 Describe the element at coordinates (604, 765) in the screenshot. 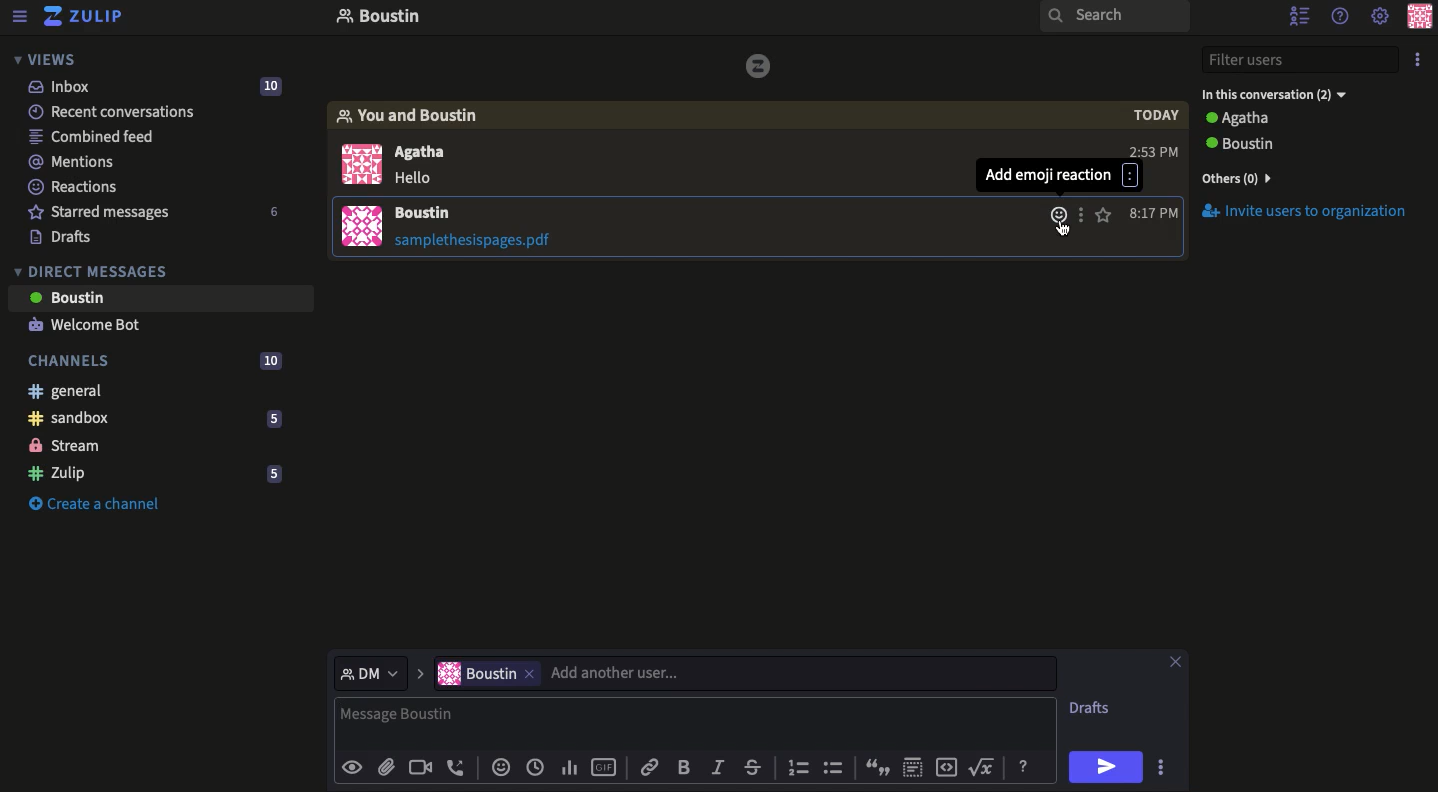

I see `GIF` at that location.